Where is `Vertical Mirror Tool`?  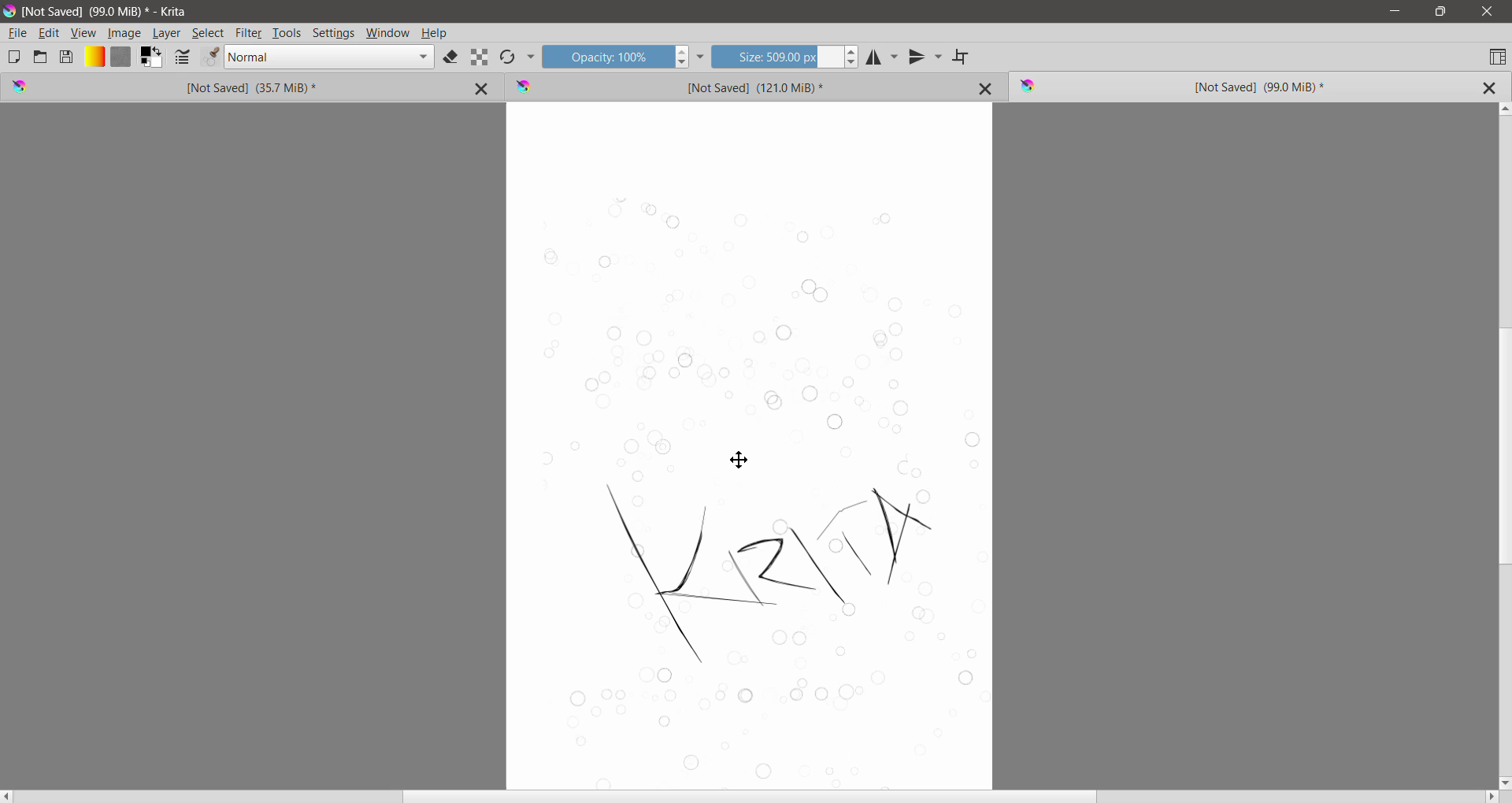
Vertical Mirror Tool is located at coordinates (925, 57).